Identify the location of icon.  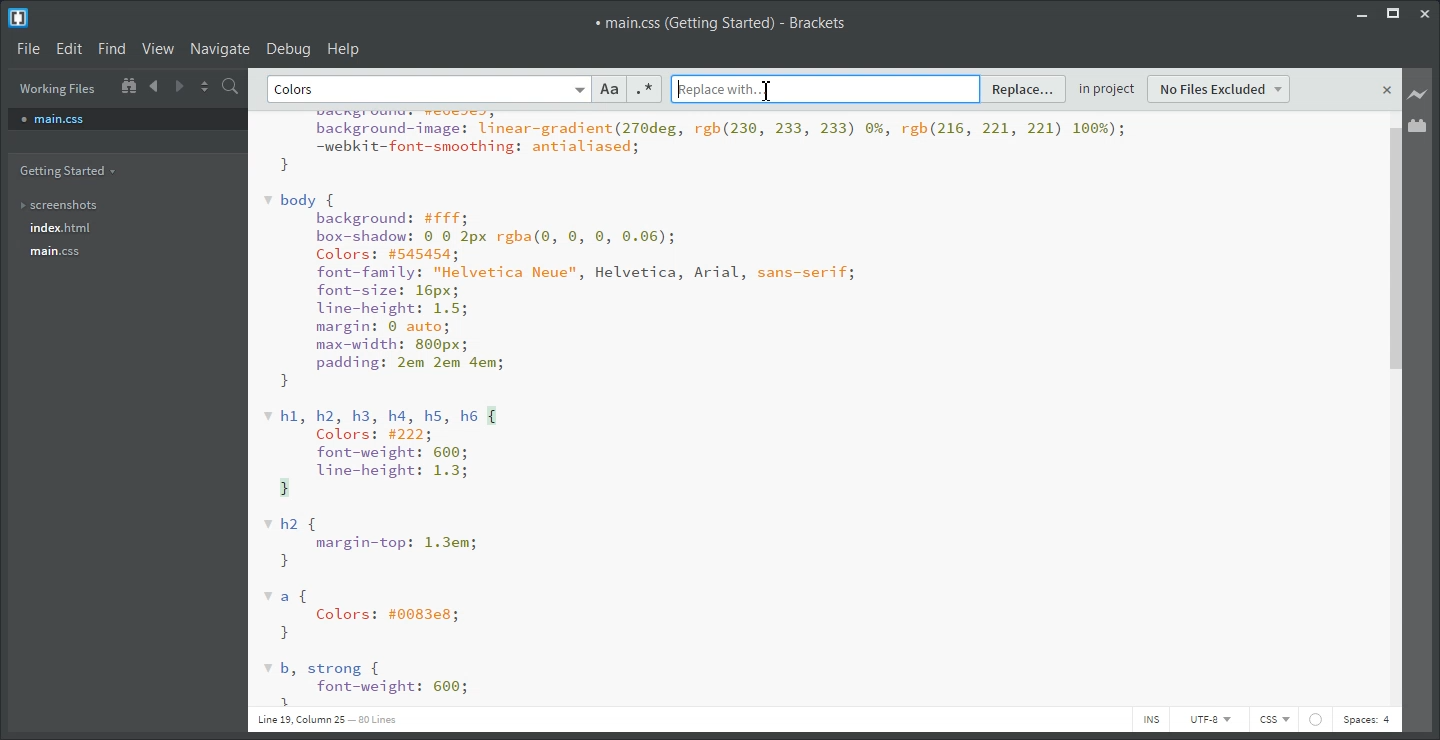
(1315, 719).